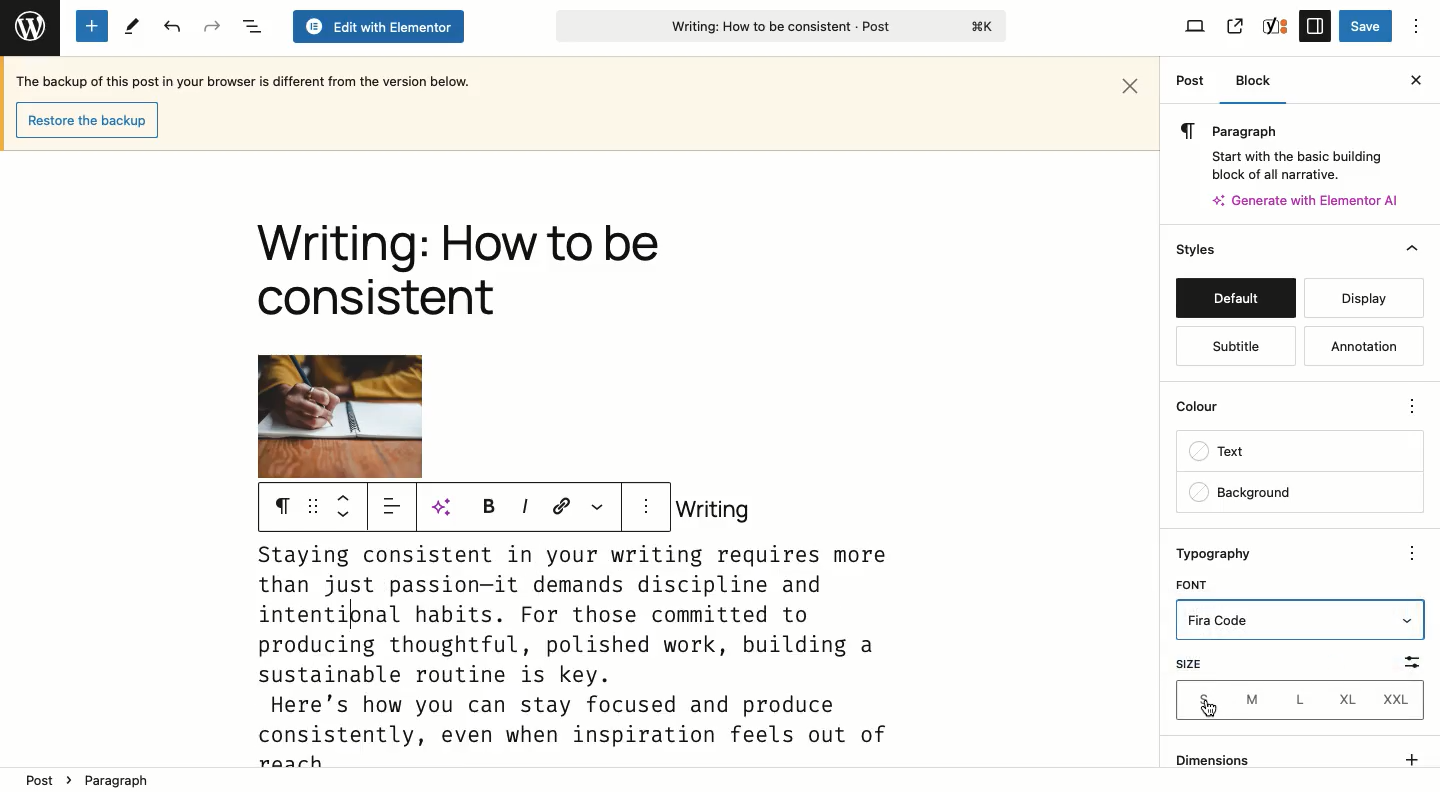 This screenshot has width=1440, height=792. Describe the element at coordinates (1214, 711) in the screenshot. I see `Cursor` at that location.